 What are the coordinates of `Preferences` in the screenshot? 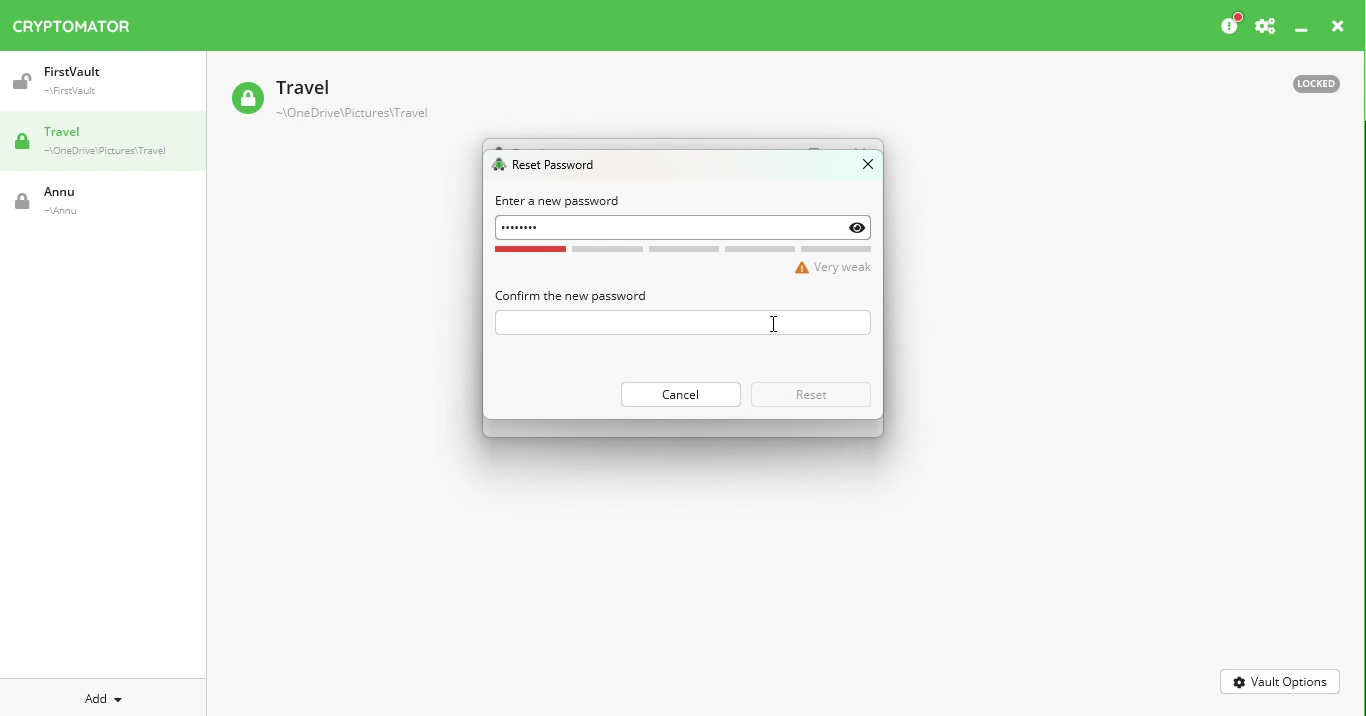 It's located at (1265, 27).